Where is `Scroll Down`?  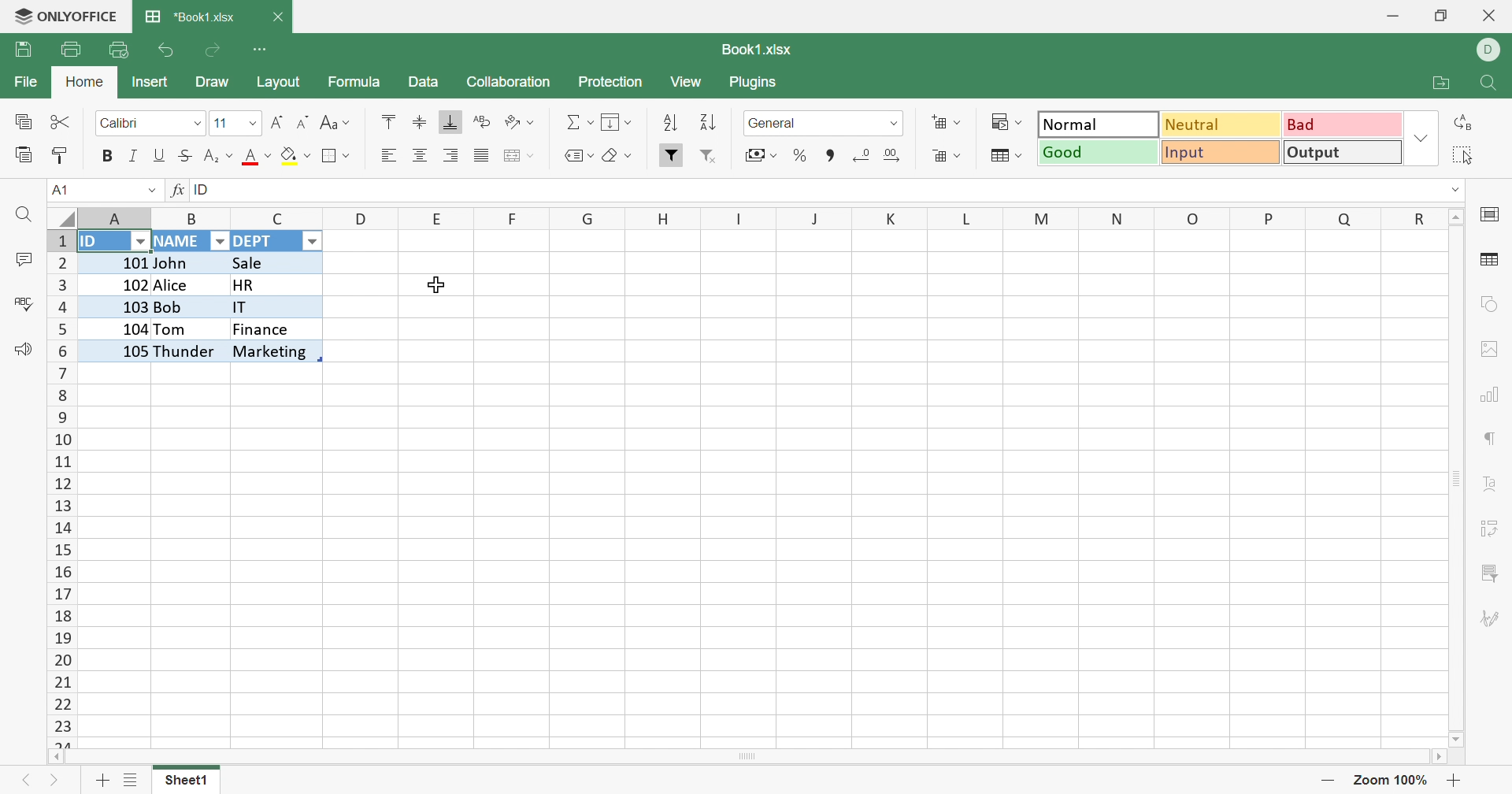 Scroll Down is located at coordinates (1457, 736).